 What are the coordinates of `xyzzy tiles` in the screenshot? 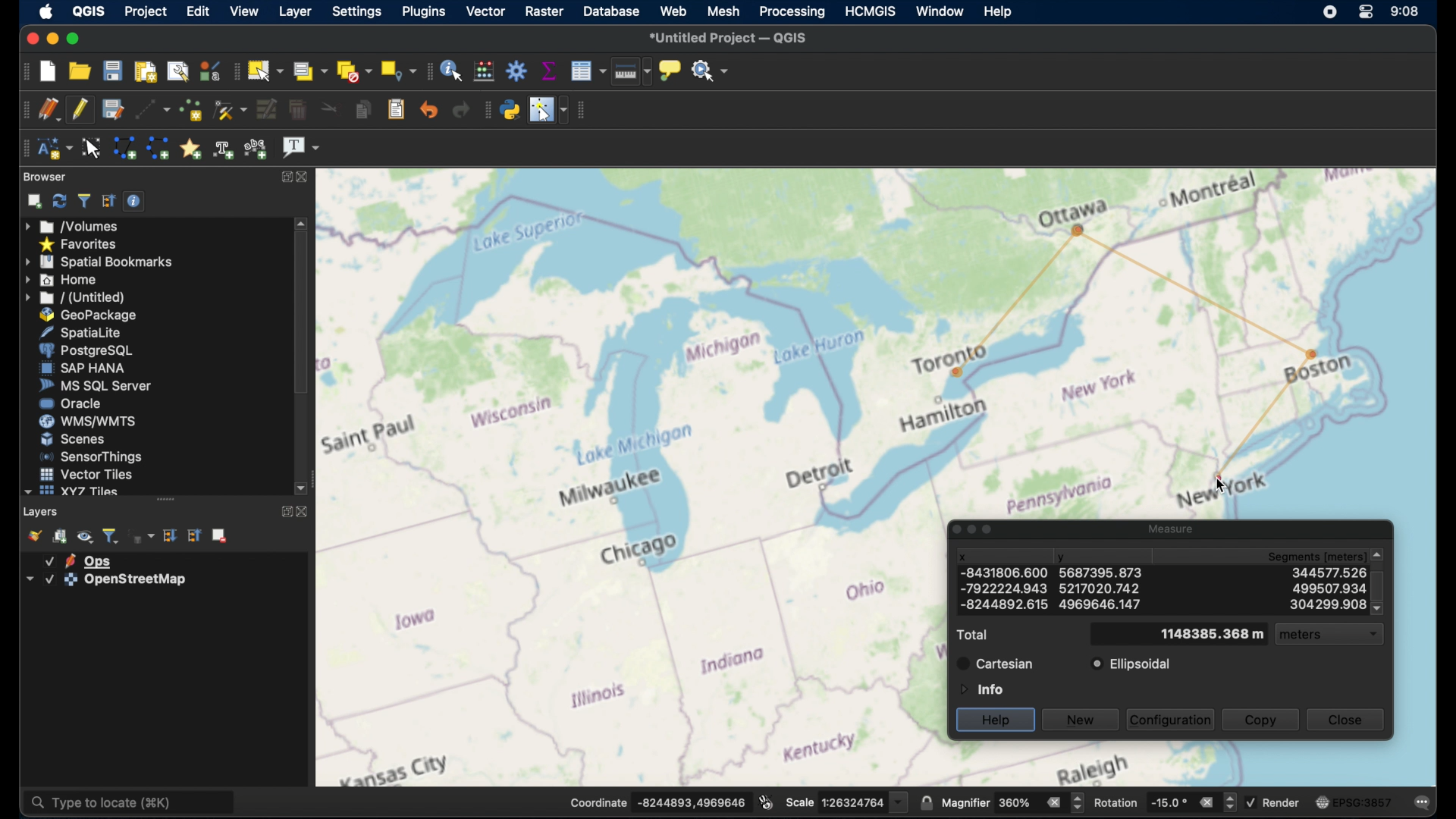 It's located at (71, 491).